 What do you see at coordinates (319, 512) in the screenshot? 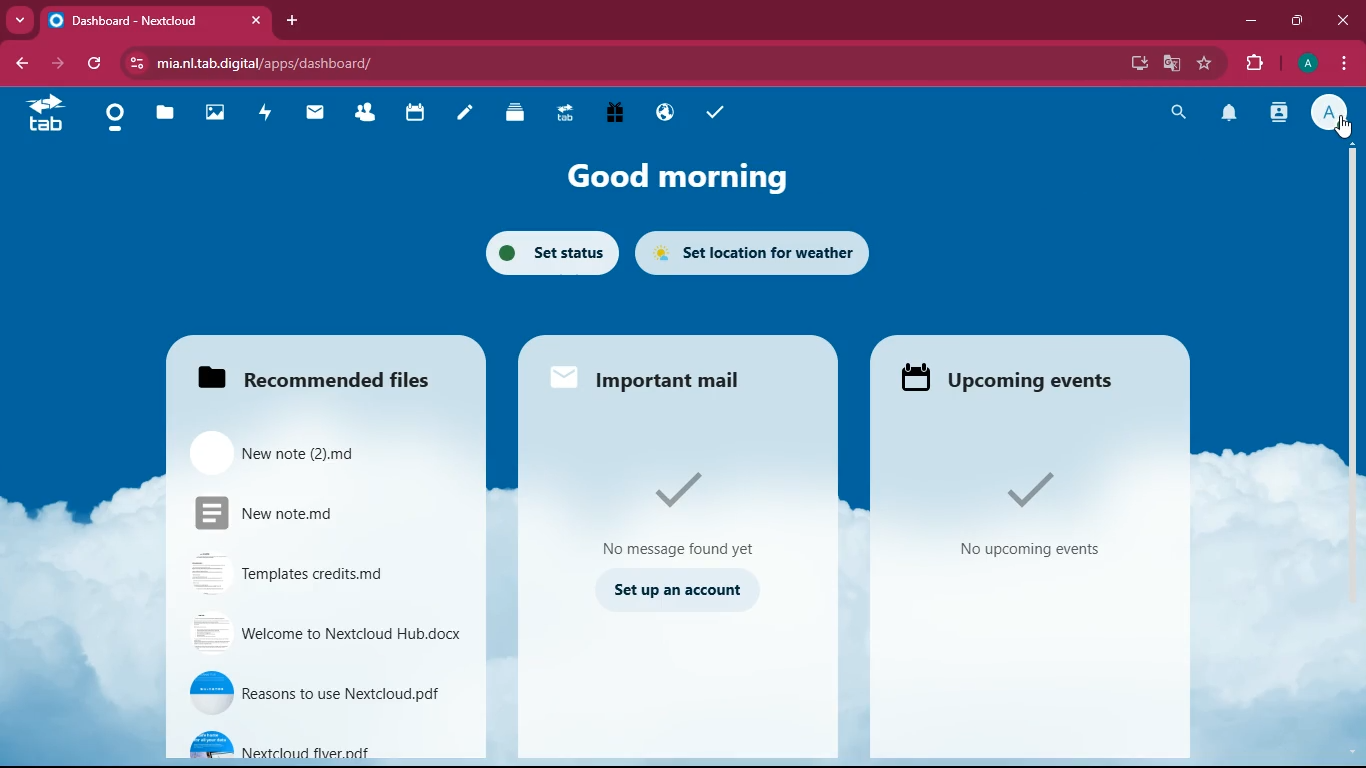
I see `New note.md` at bounding box center [319, 512].